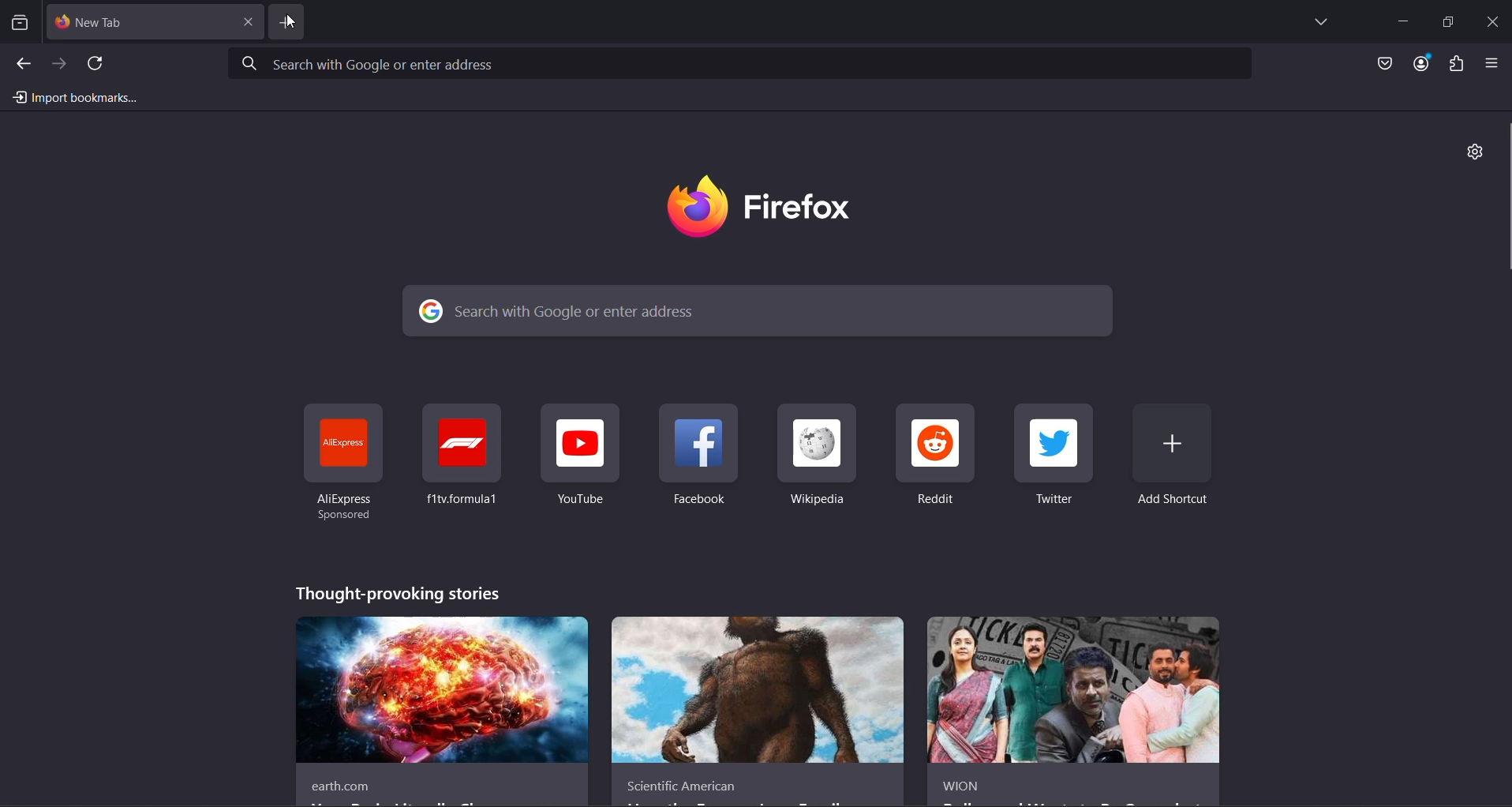 This screenshot has width=1512, height=807. What do you see at coordinates (1405, 18) in the screenshot?
I see `minimize` at bounding box center [1405, 18].